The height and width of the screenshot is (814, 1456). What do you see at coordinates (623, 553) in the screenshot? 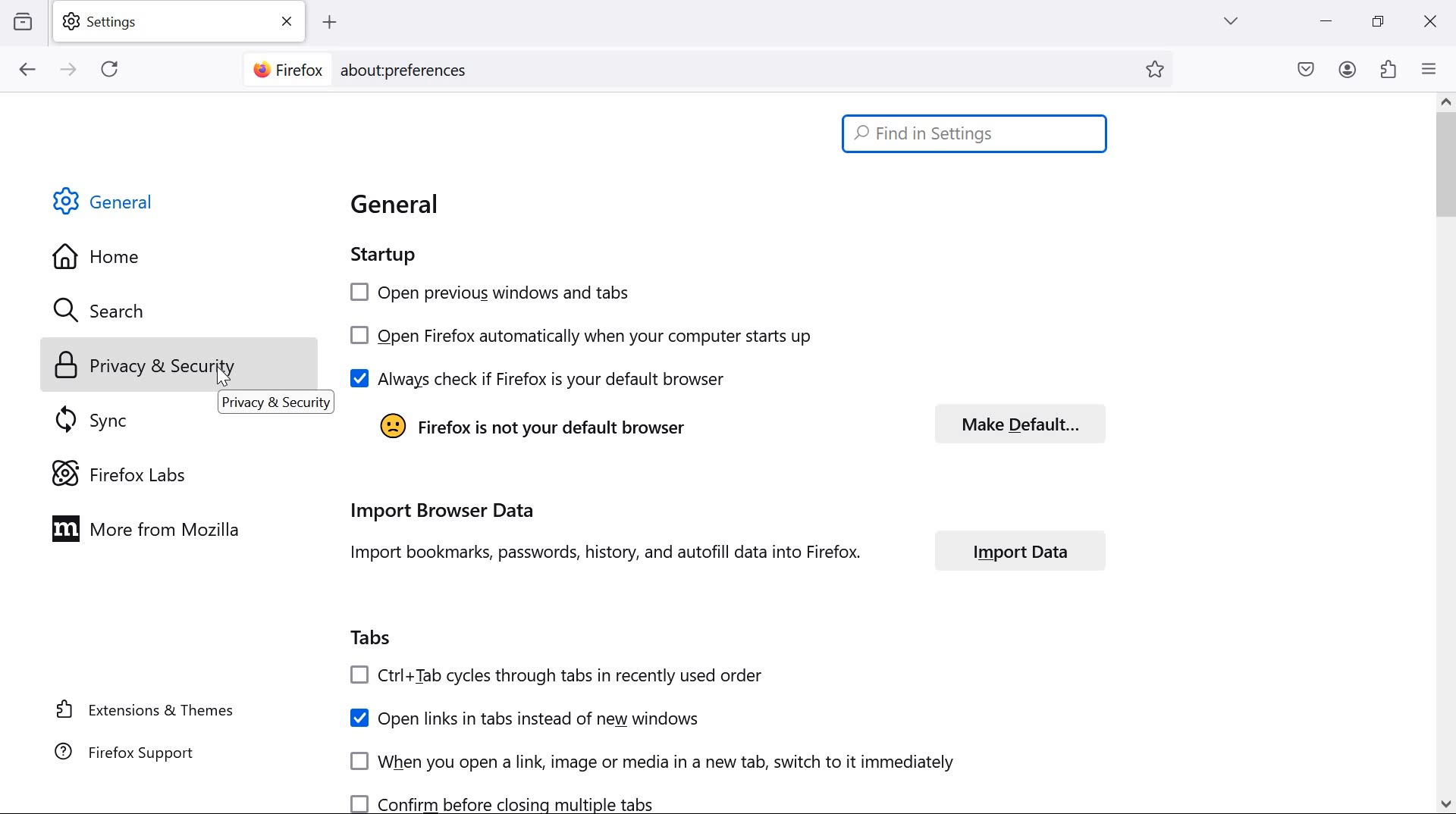
I see `Import bookmarks, passwords, history, and autofill data into Firefox.` at bounding box center [623, 553].